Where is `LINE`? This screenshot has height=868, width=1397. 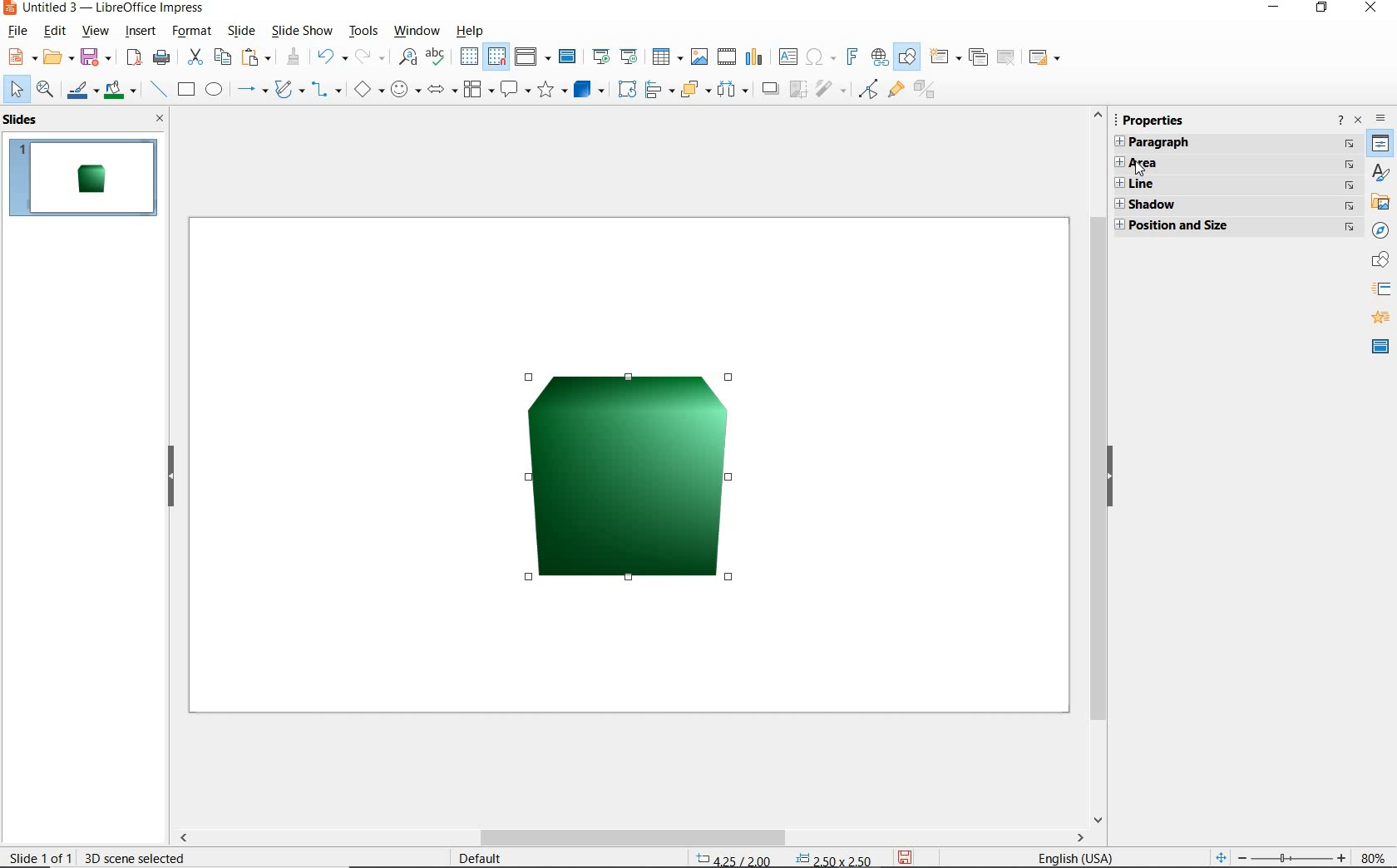
LINE is located at coordinates (1233, 185).